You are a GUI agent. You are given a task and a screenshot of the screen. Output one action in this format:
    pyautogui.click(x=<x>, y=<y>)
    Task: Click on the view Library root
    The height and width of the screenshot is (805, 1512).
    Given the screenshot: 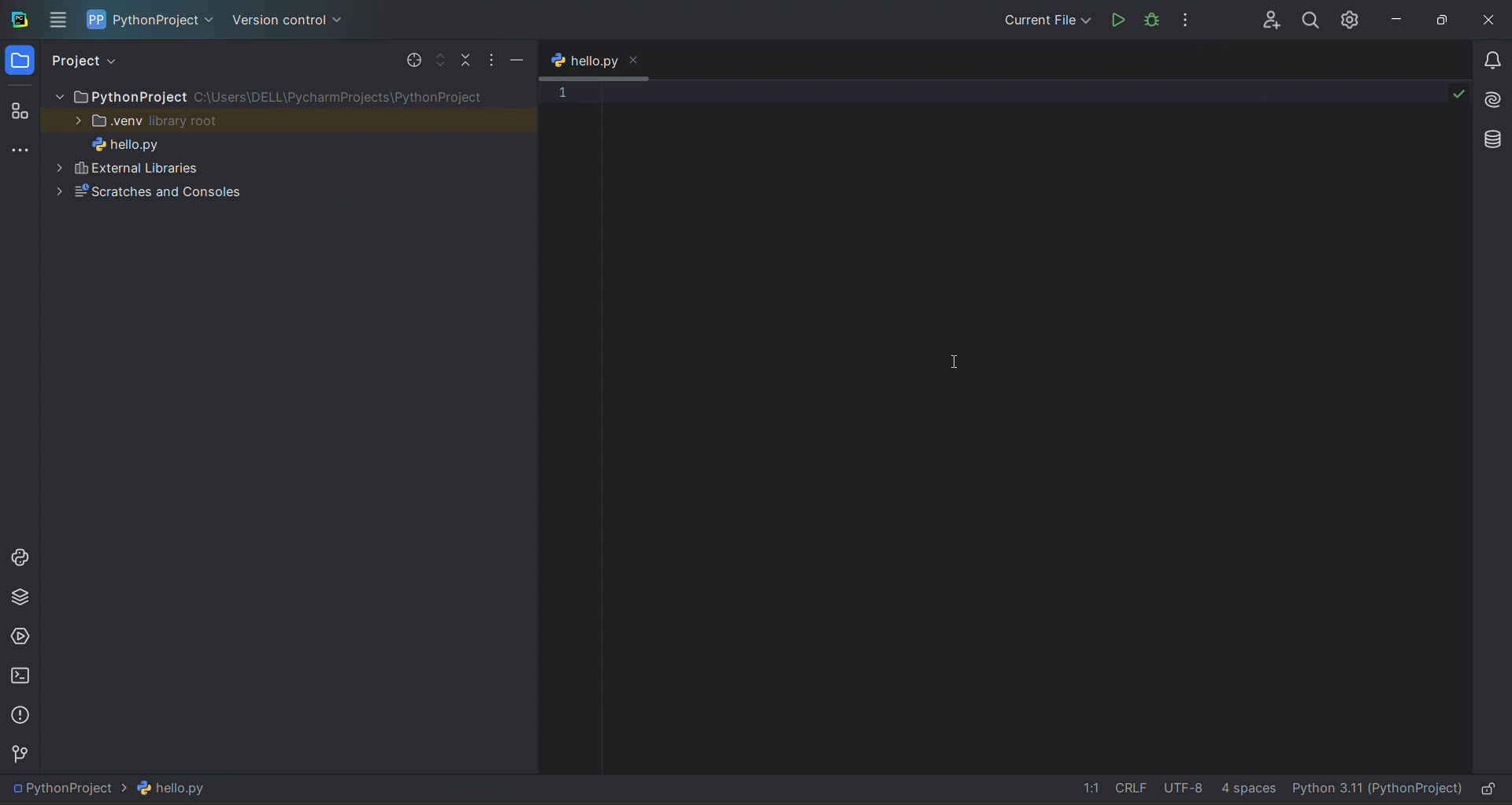 What is the action you would take?
    pyautogui.click(x=161, y=121)
    